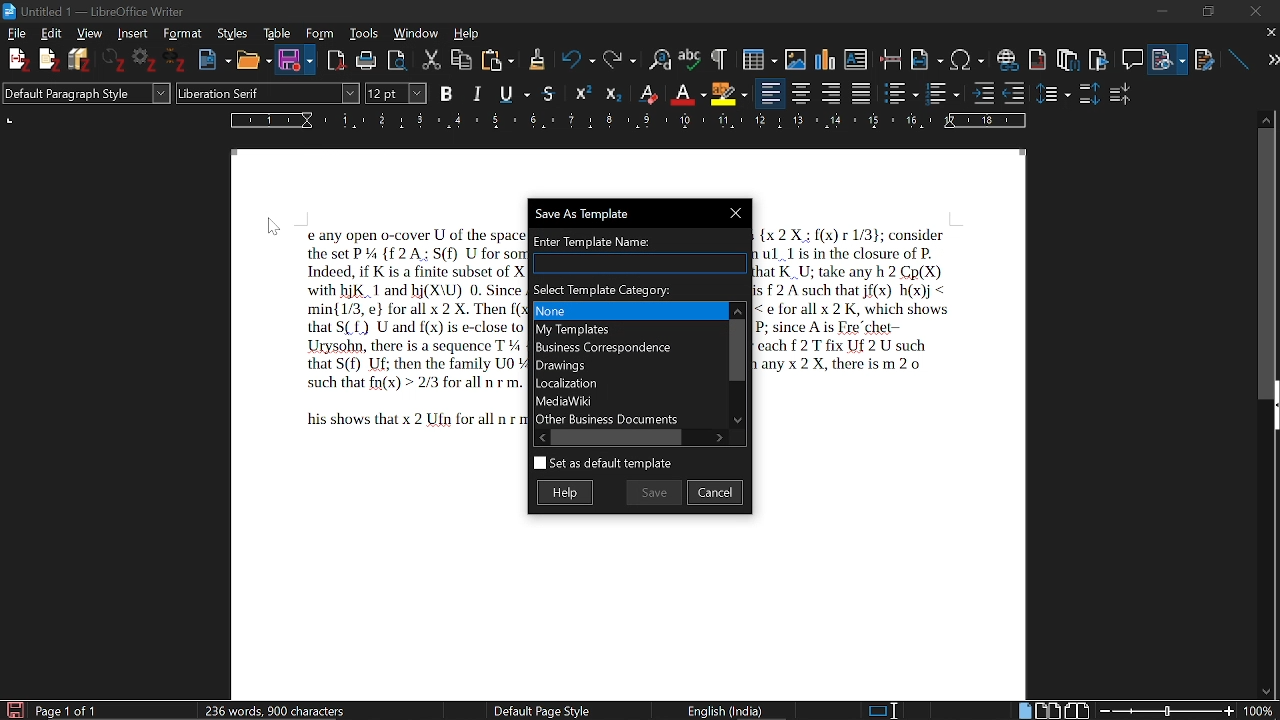 The image size is (1280, 720). What do you see at coordinates (1266, 60) in the screenshot?
I see `next` at bounding box center [1266, 60].